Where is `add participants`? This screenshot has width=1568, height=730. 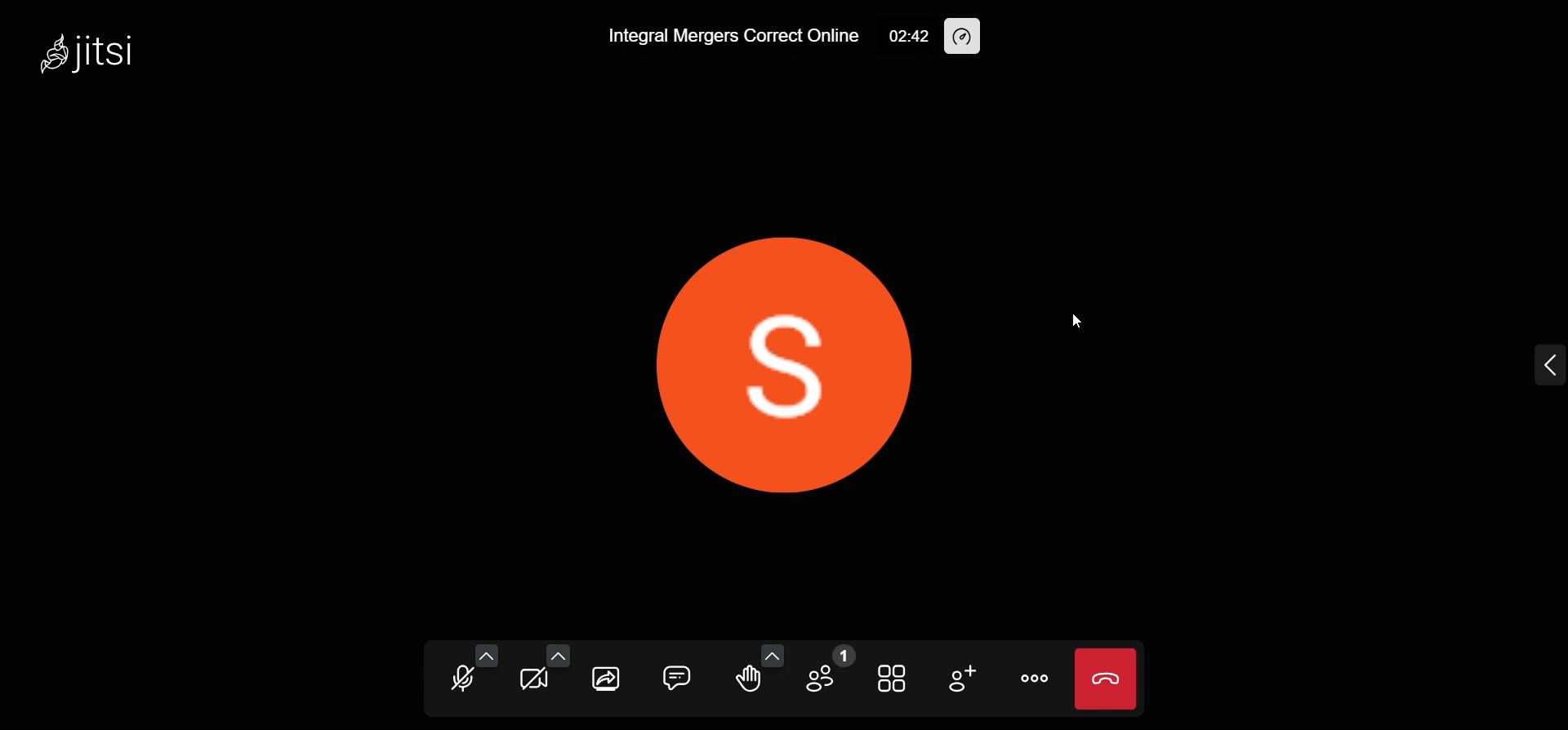 add participants is located at coordinates (963, 678).